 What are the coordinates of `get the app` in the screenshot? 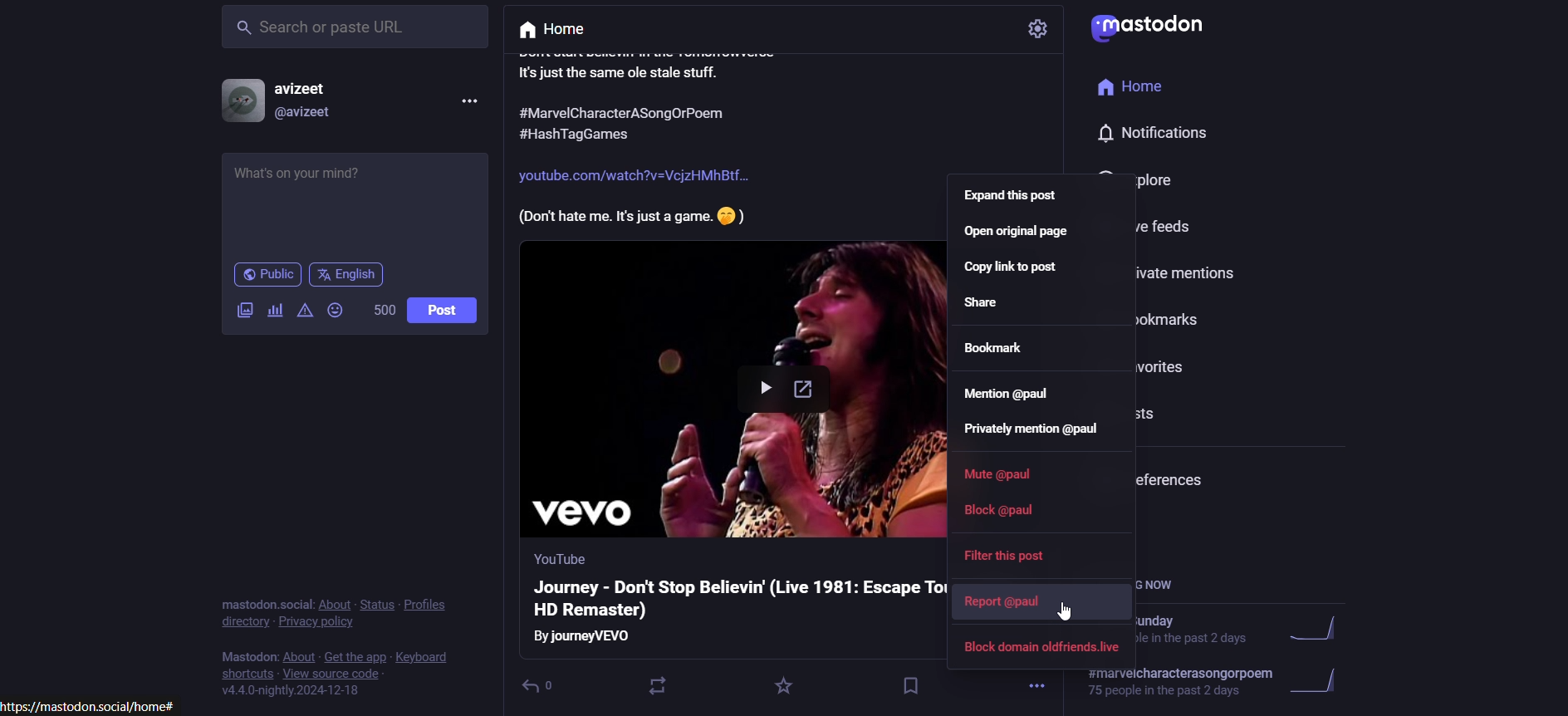 It's located at (352, 655).